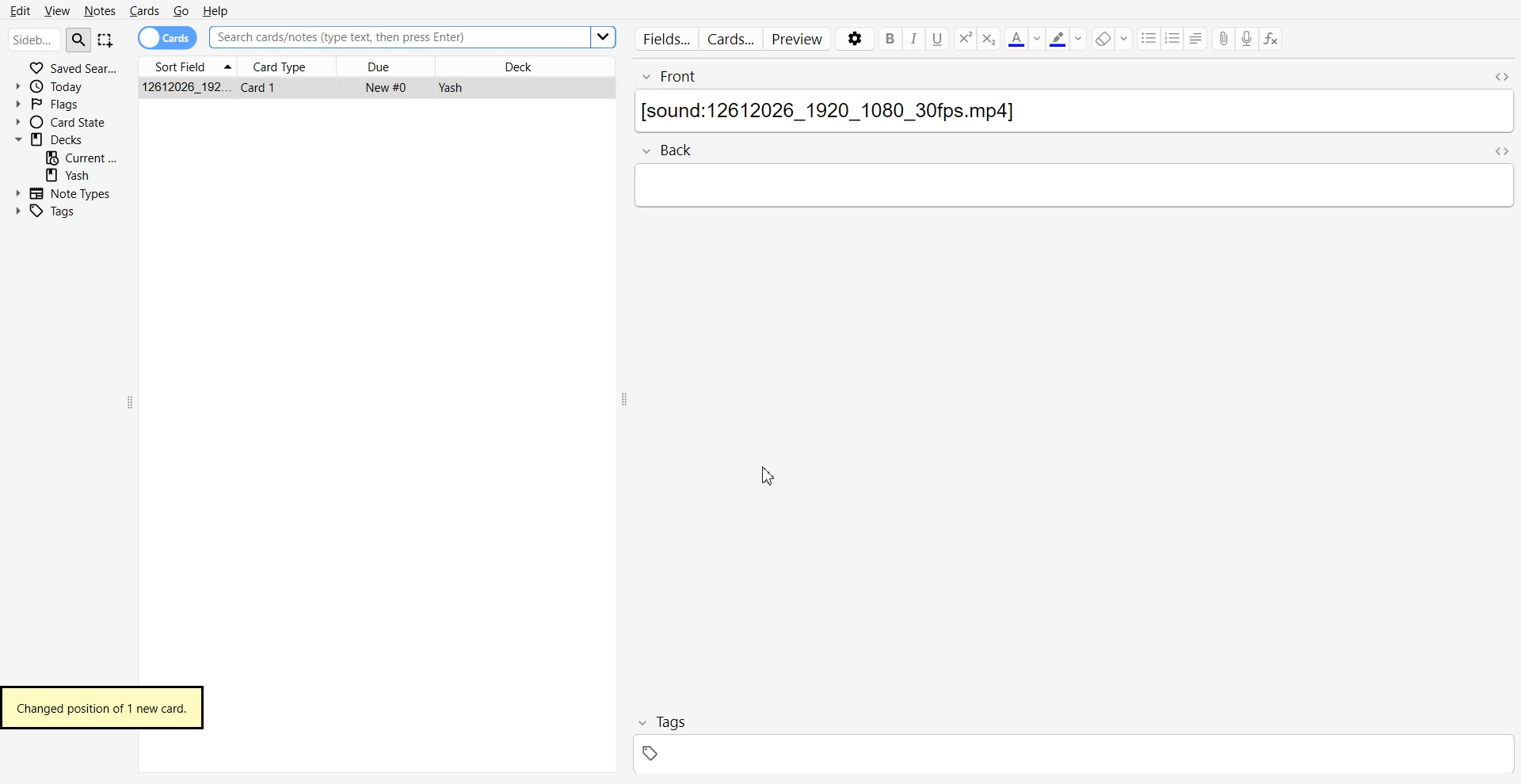 The width and height of the screenshot is (1521, 784). Describe the element at coordinates (1174, 38) in the screenshot. I see `Ordered list` at that location.